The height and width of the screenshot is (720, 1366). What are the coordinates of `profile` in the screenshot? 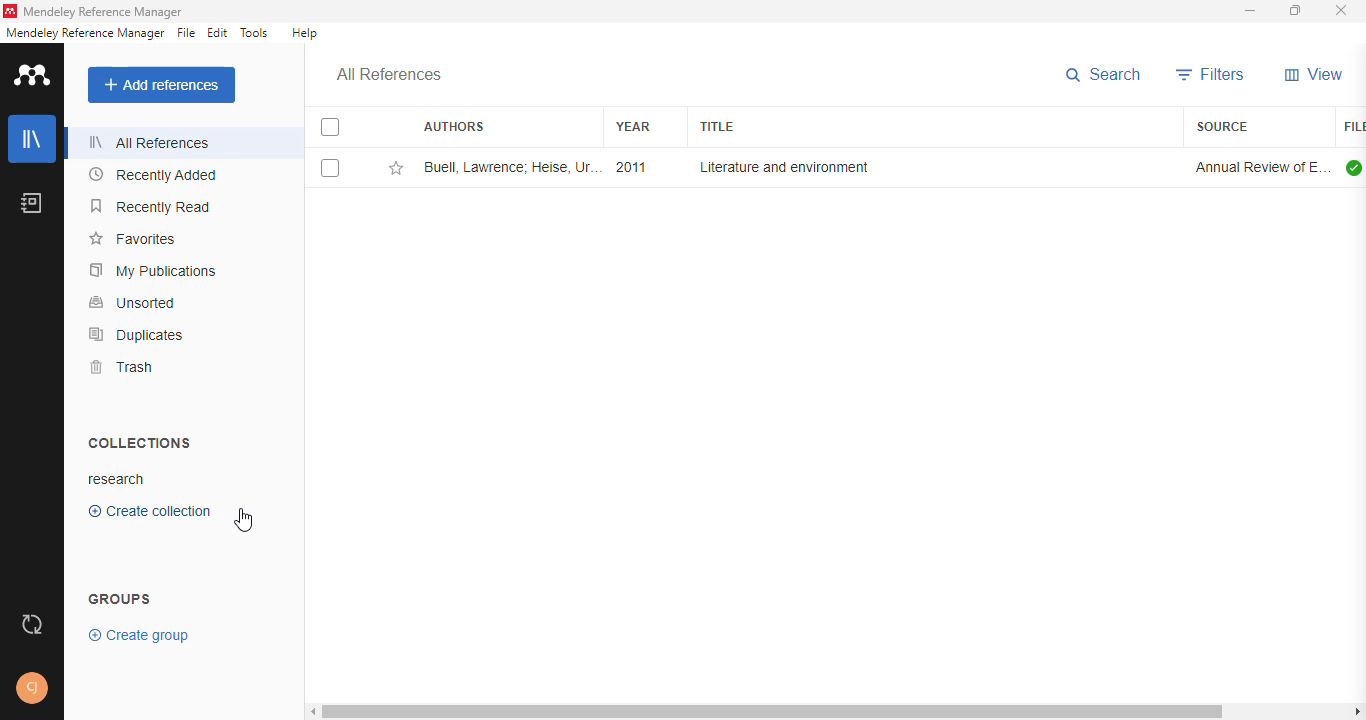 It's located at (32, 688).